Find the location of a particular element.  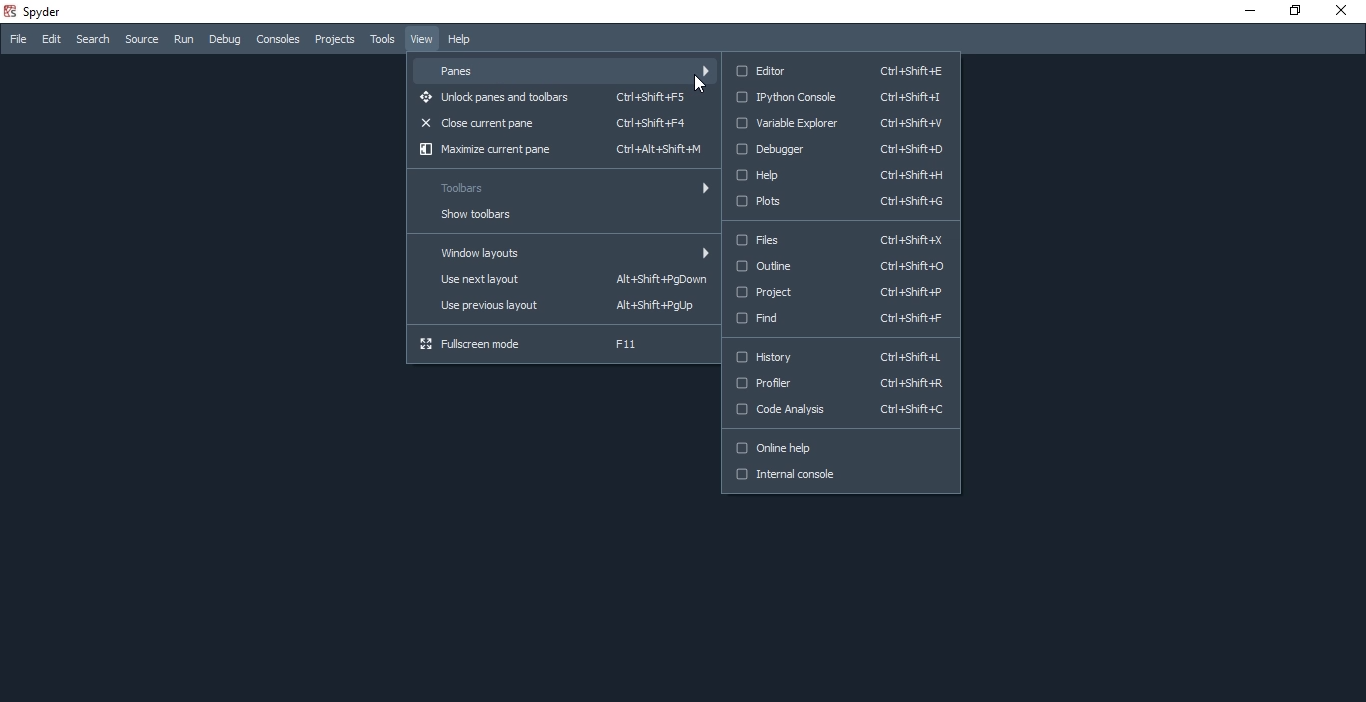

close is located at coordinates (1345, 12).